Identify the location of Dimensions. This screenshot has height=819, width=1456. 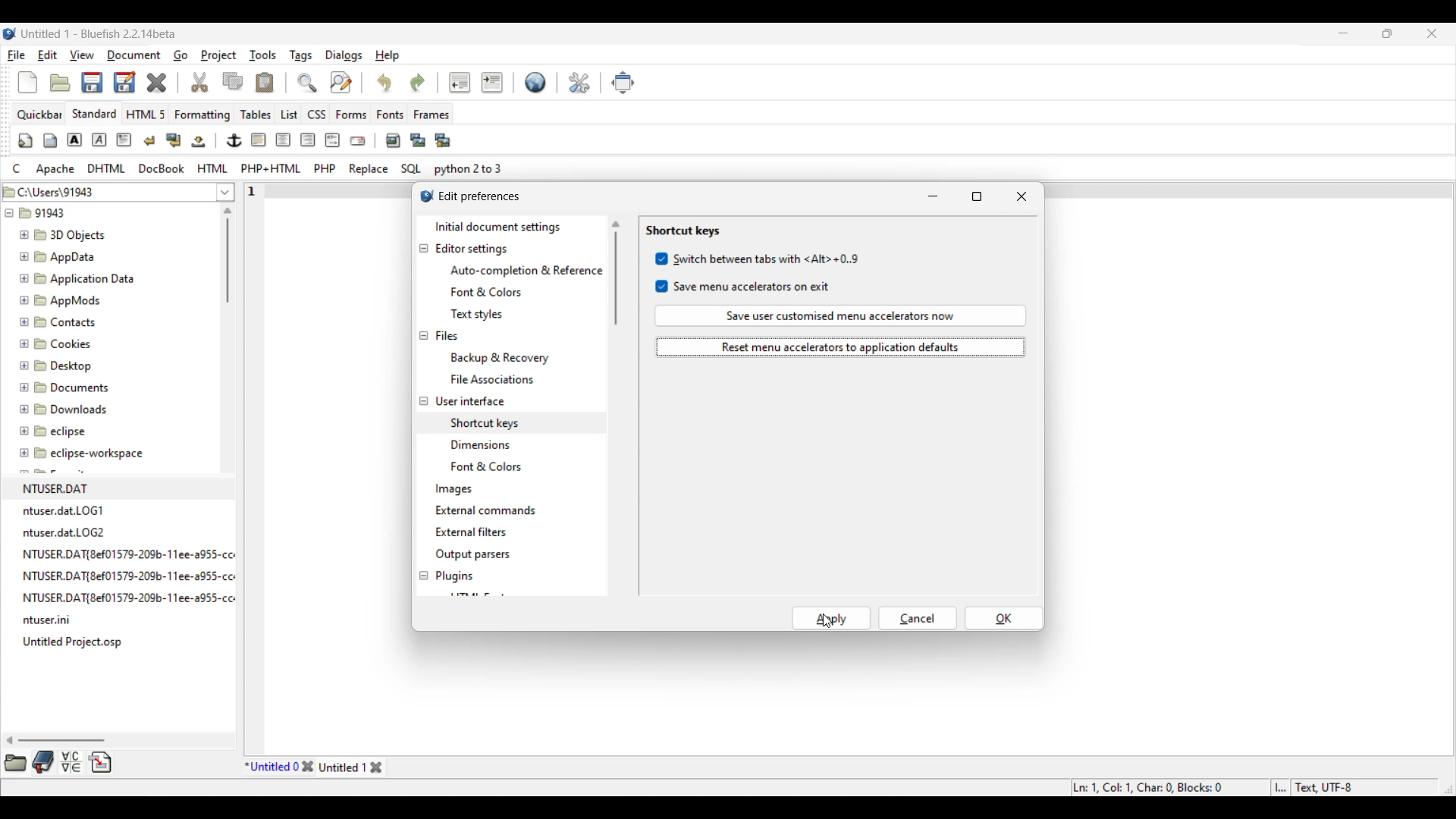
(484, 444).